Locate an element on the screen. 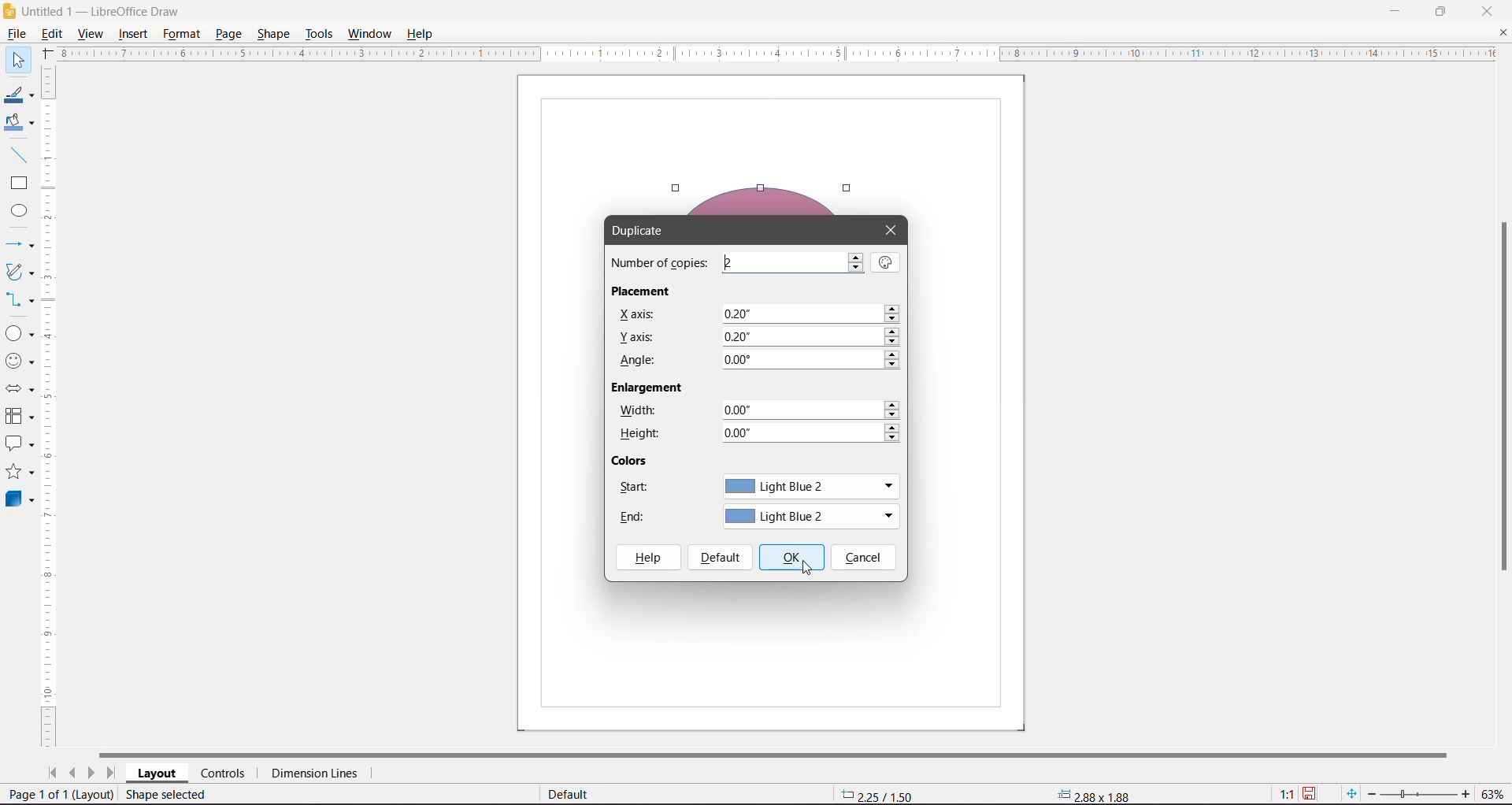  Fill Color is located at coordinates (19, 124).